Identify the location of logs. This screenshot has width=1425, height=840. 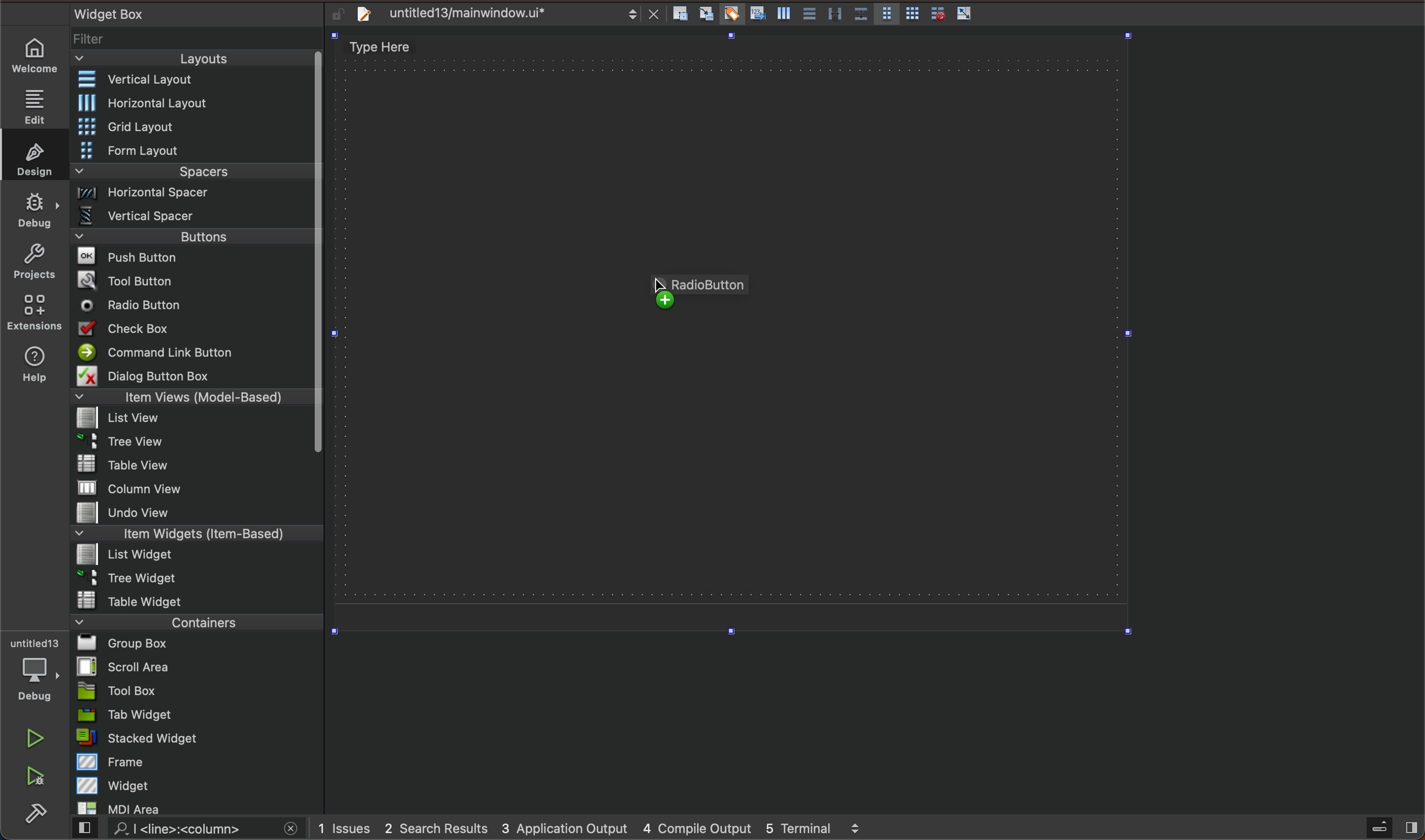
(607, 828).